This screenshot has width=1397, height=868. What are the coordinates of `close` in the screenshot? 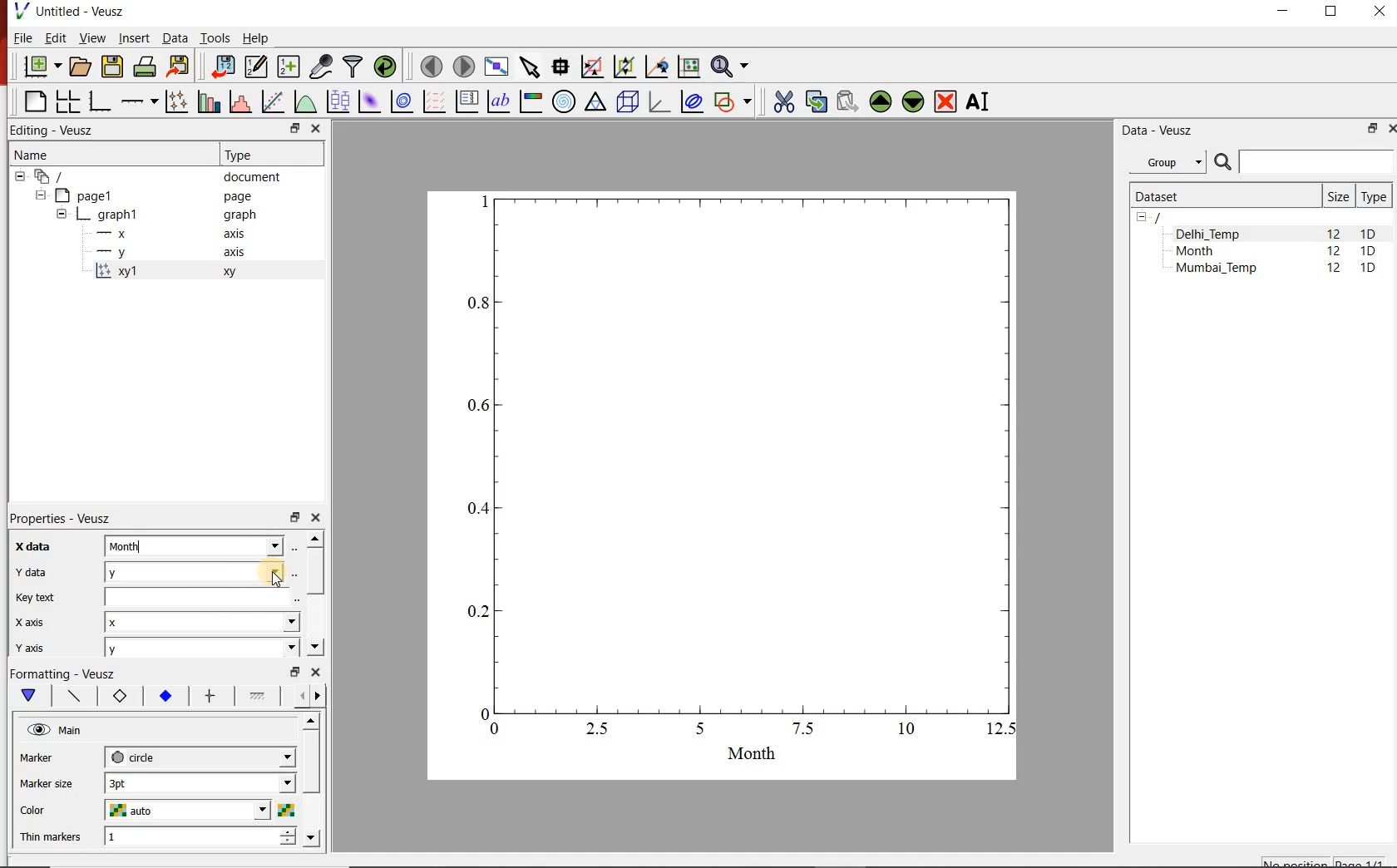 It's located at (314, 130).